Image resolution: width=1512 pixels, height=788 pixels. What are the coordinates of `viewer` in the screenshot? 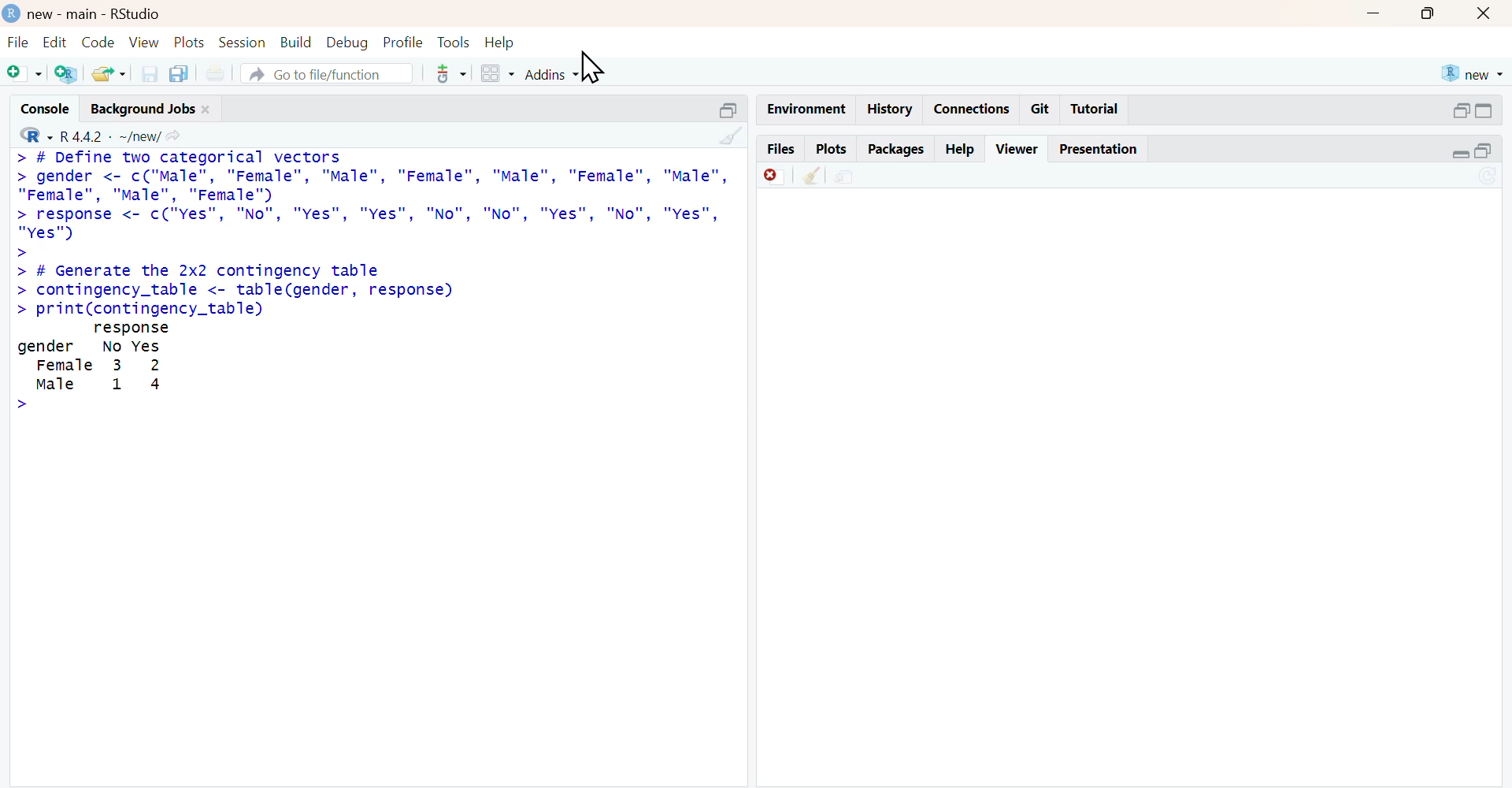 It's located at (1017, 149).